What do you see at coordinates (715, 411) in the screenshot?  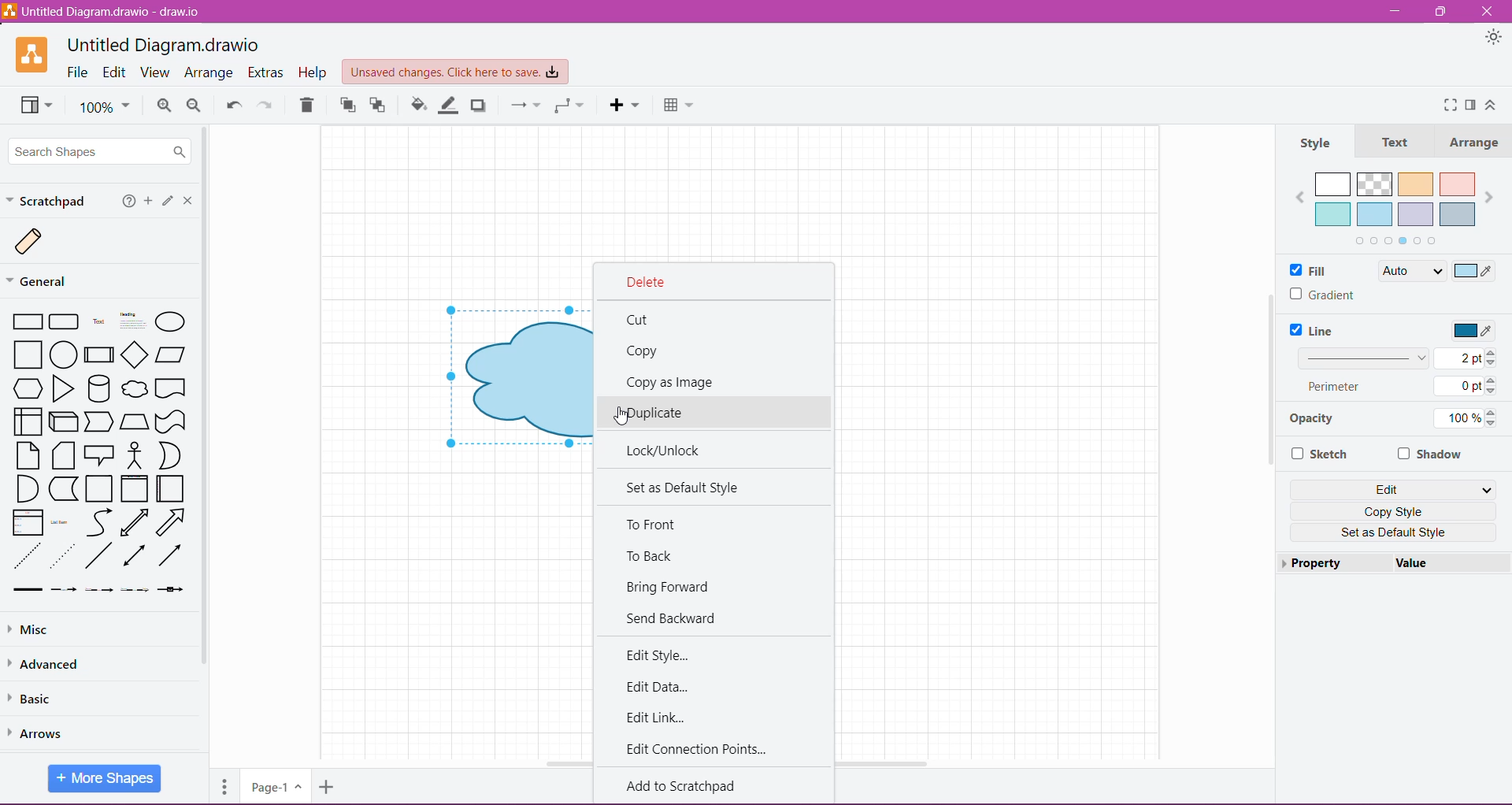 I see `Duplicate` at bounding box center [715, 411].